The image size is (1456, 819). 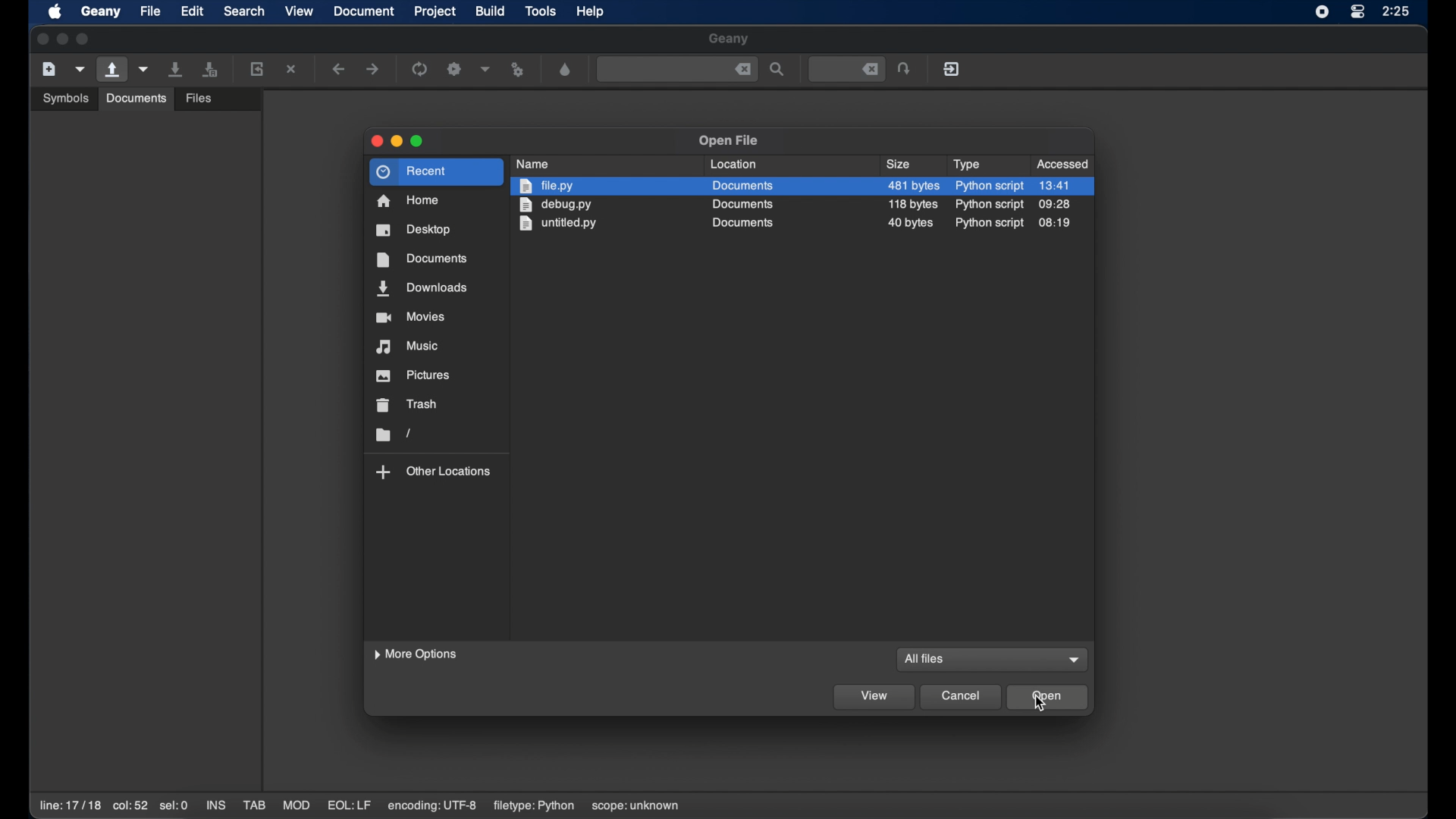 What do you see at coordinates (394, 435) in the screenshot?
I see `folder` at bounding box center [394, 435].